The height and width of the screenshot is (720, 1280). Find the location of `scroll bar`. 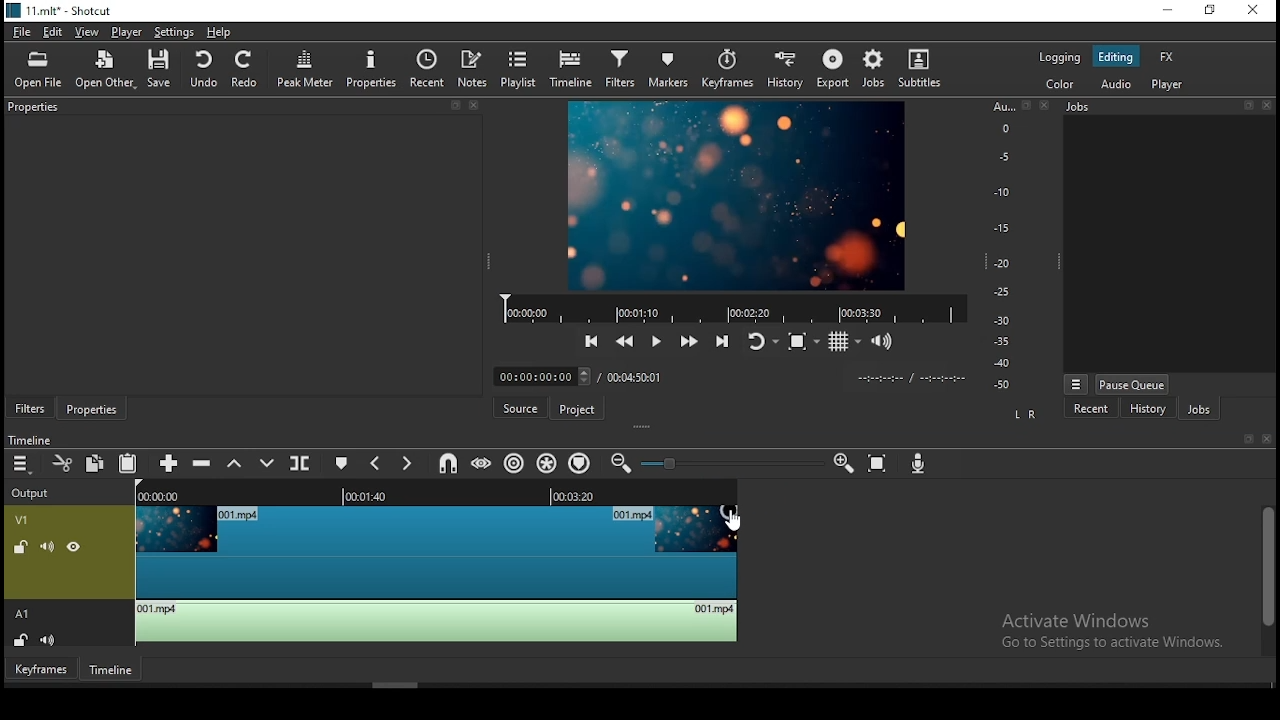

scroll bar is located at coordinates (1265, 576).